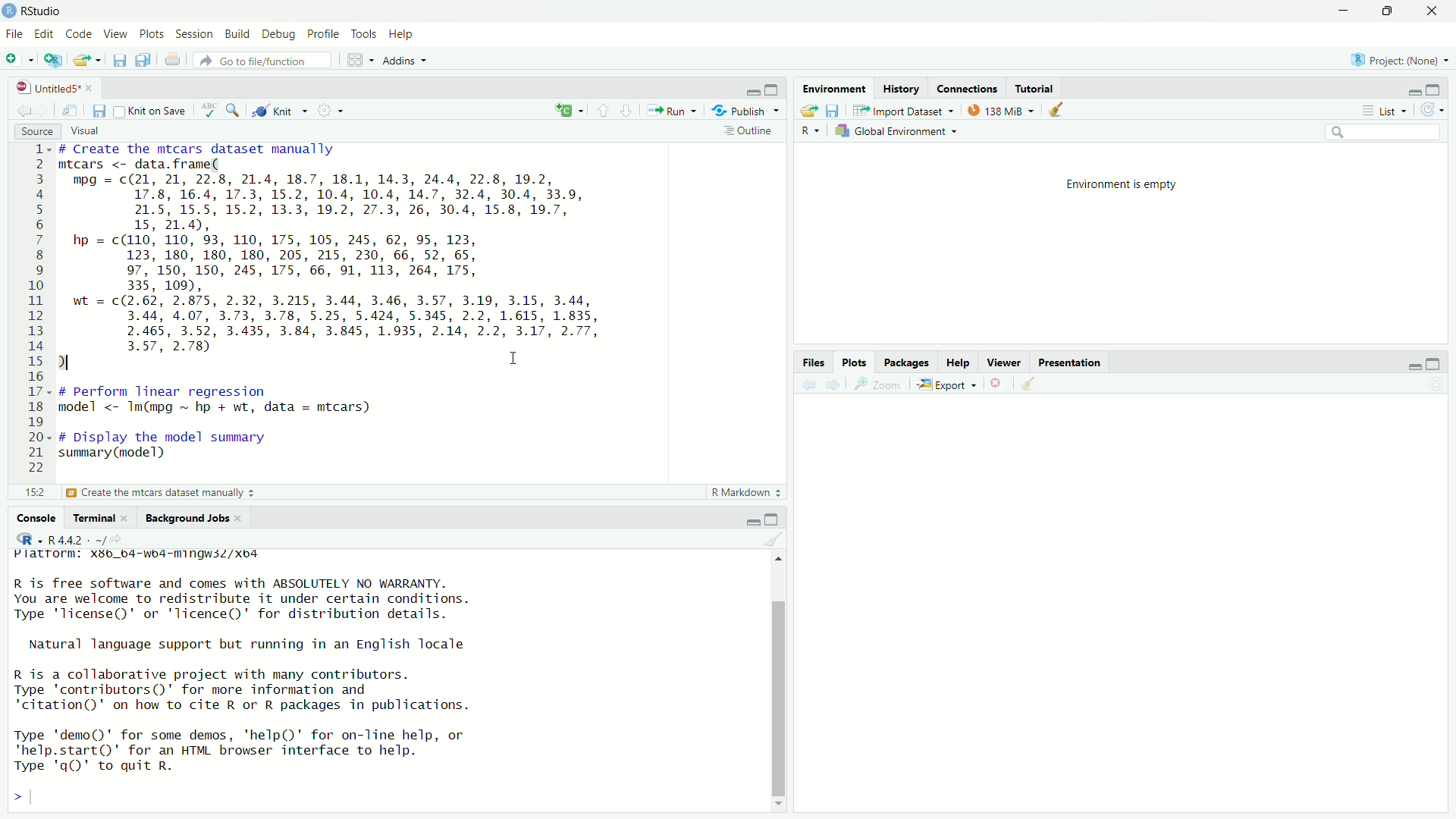 The height and width of the screenshot is (819, 1456). What do you see at coordinates (855, 363) in the screenshot?
I see `Plots` at bounding box center [855, 363].